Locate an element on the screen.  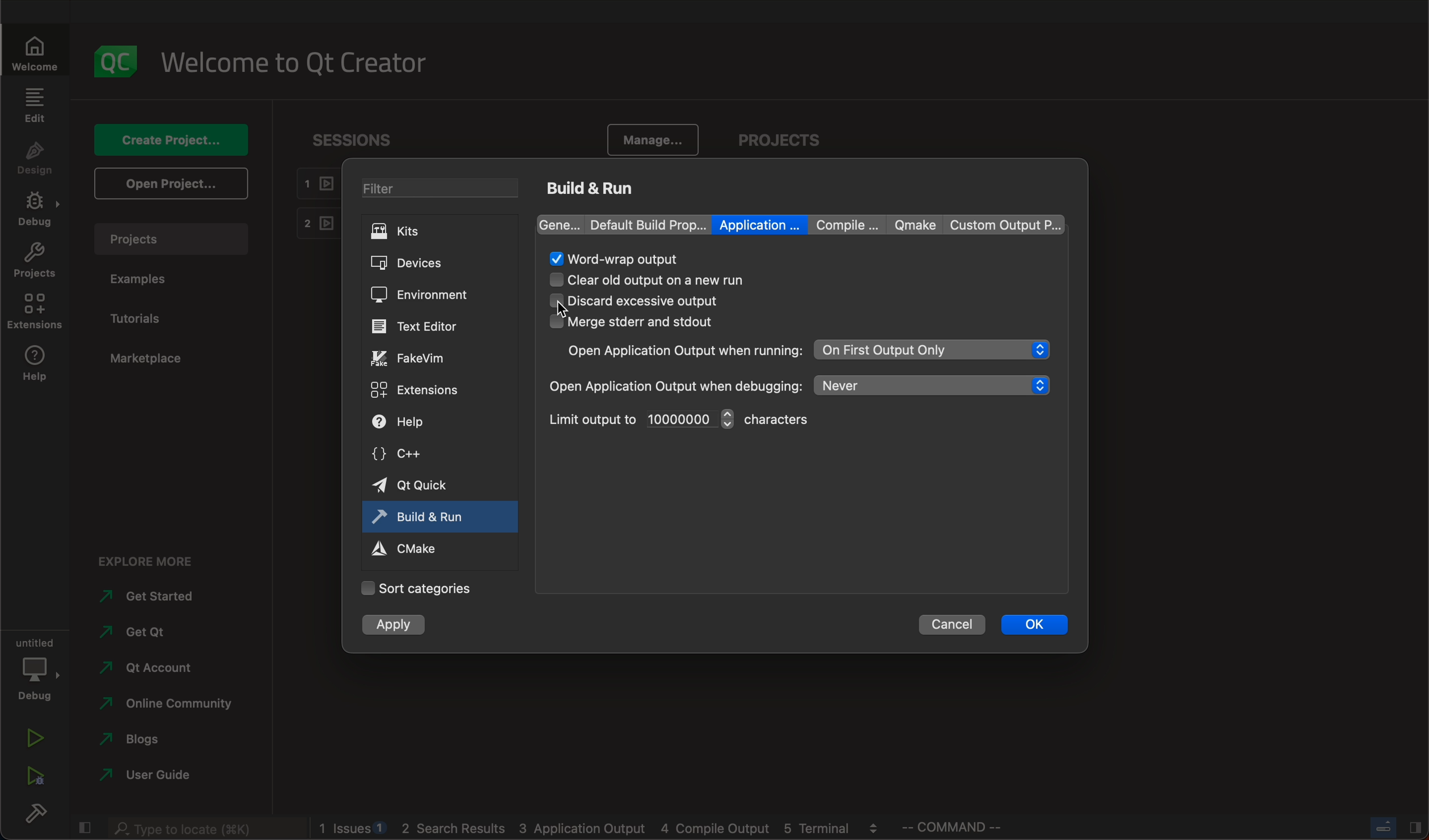
welcome is located at coordinates (298, 63).